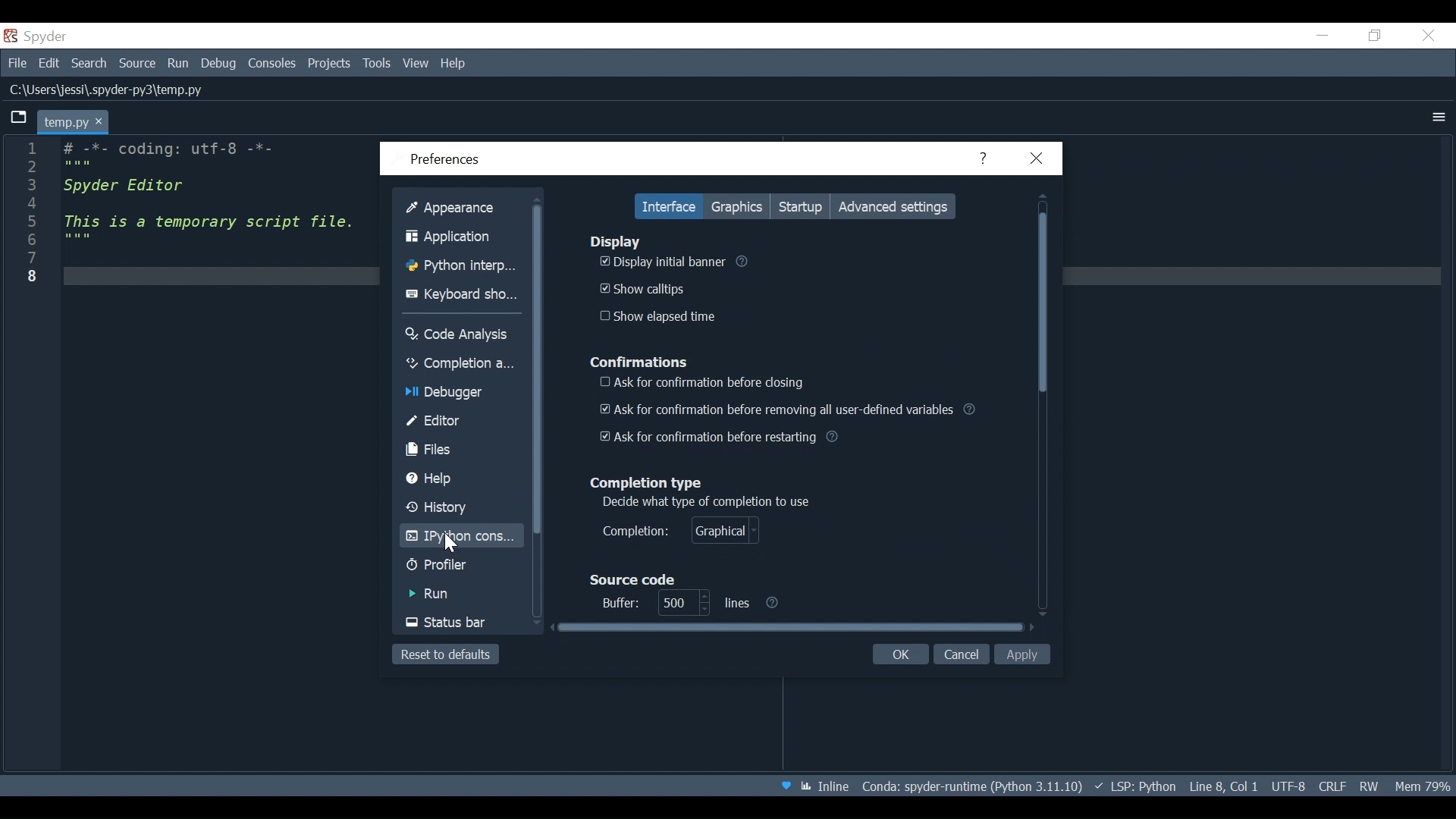 The image size is (1456, 819). Describe the element at coordinates (789, 409) in the screenshot. I see `Ask for confirmations before removing any variables` at that location.